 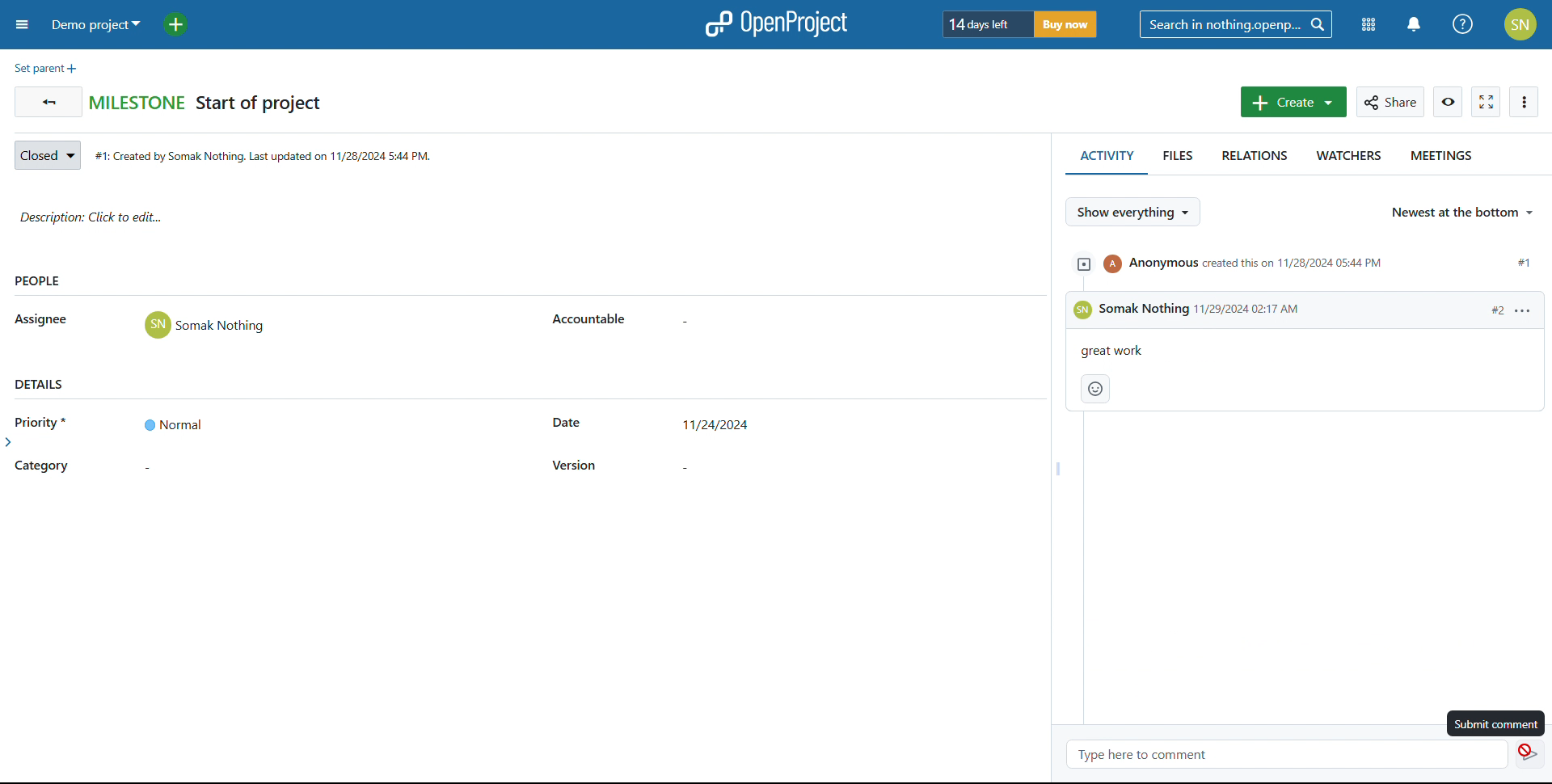 I want to click on Milestones, so click(x=137, y=101).